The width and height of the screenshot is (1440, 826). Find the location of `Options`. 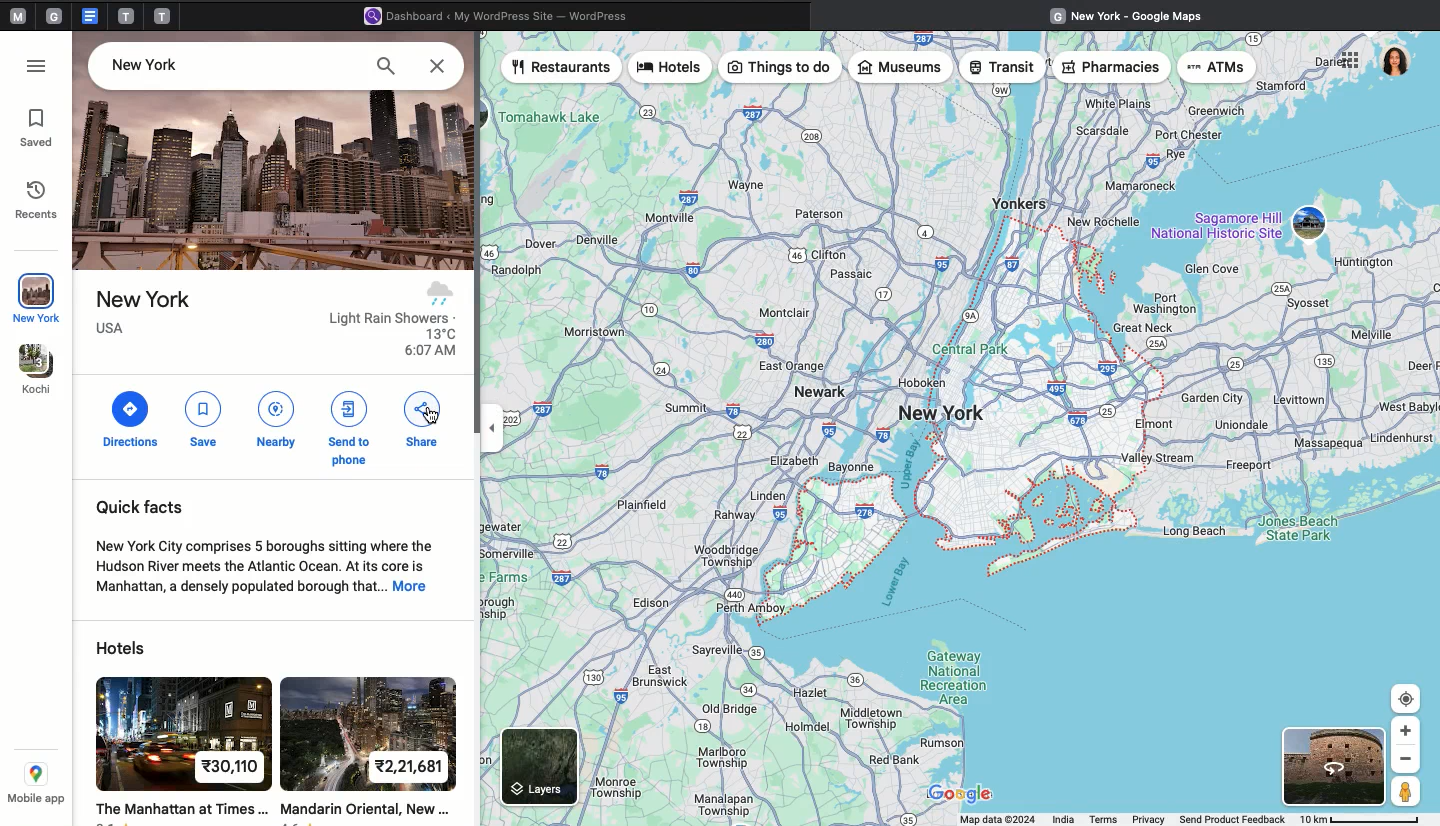

Options is located at coordinates (39, 67).